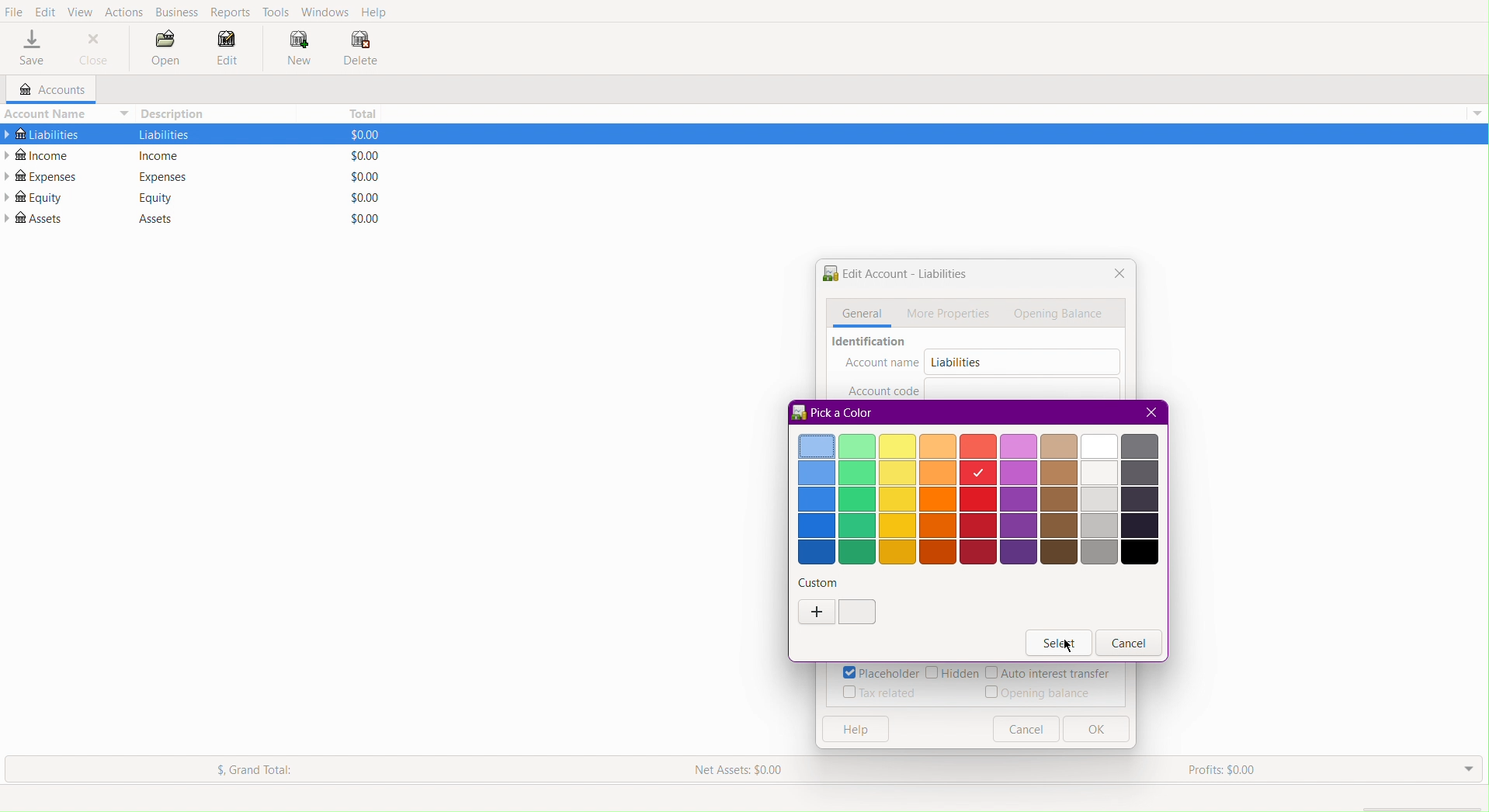 The width and height of the screenshot is (1489, 812). What do you see at coordinates (820, 582) in the screenshot?
I see `Custom` at bounding box center [820, 582].